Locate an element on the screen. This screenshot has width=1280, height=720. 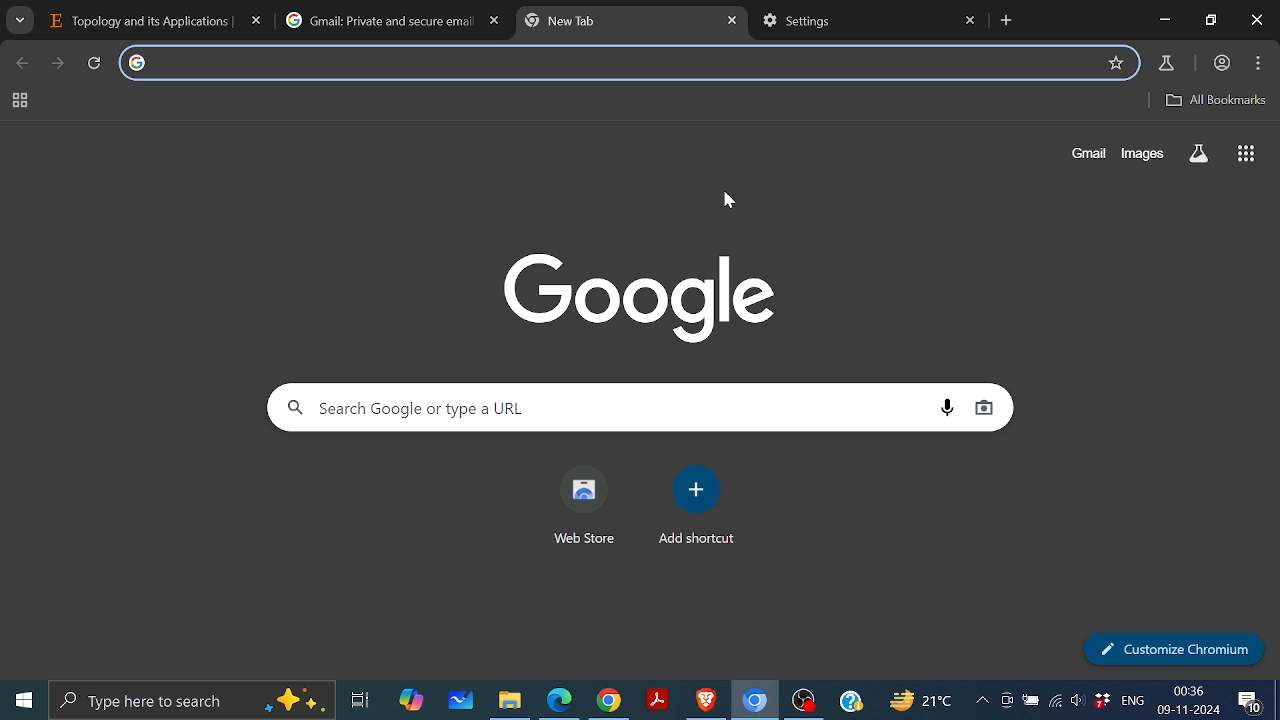
cursor is located at coordinates (724, 200).